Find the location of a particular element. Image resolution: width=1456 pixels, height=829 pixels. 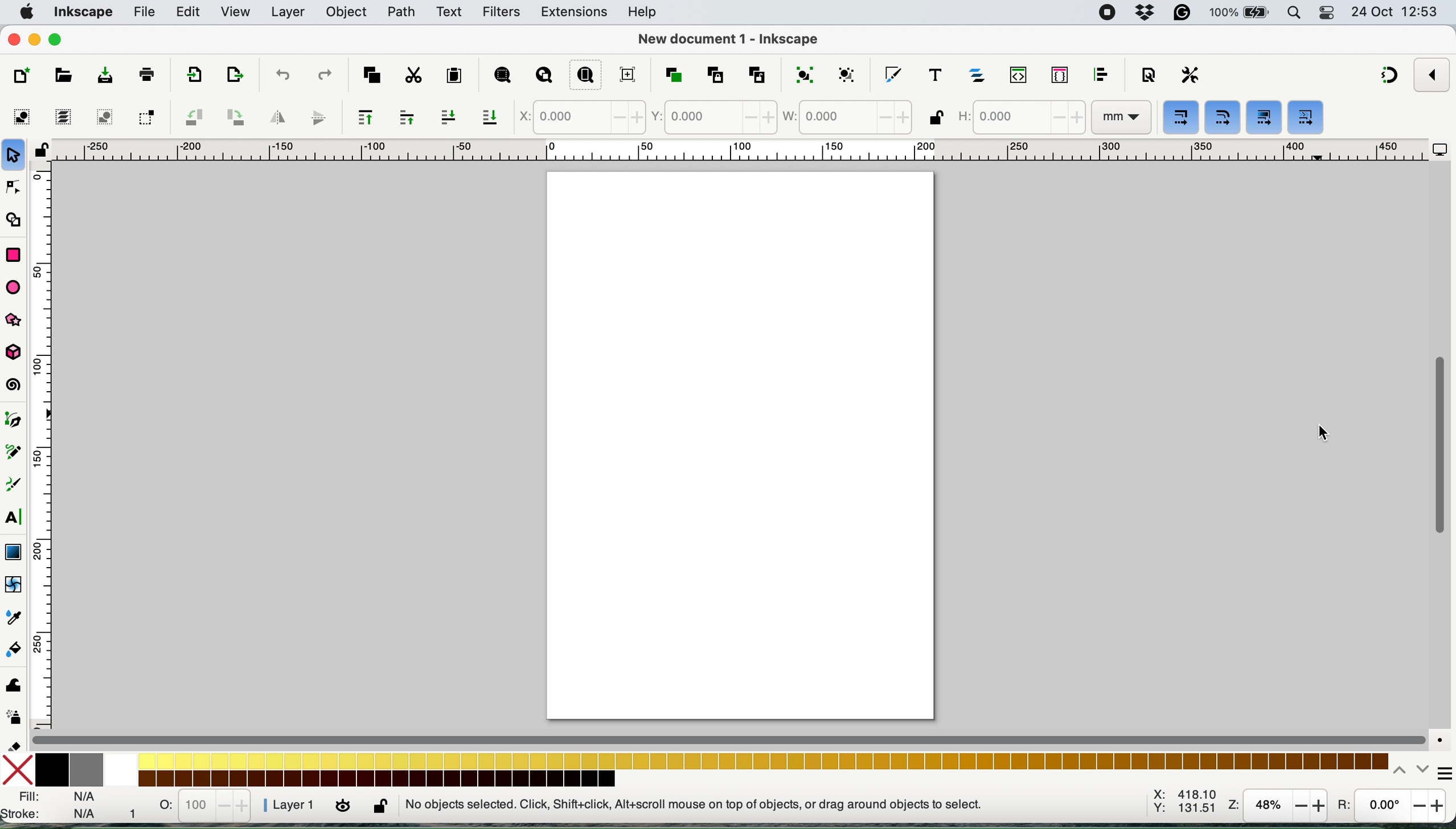

toggle visibility of current layer is located at coordinates (344, 803).